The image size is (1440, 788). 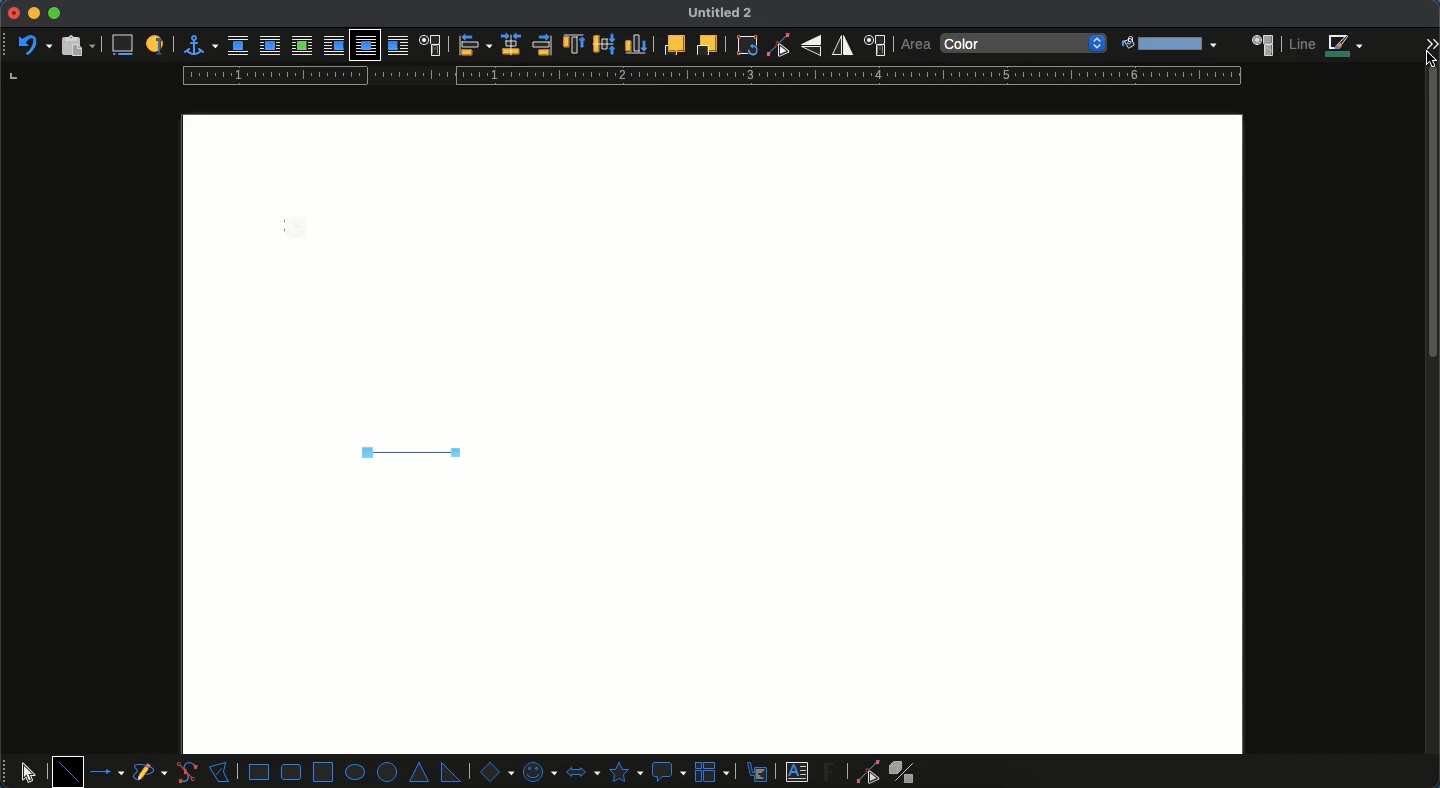 What do you see at coordinates (759, 771) in the screenshot?
I see `callouts` at bounding box center [759, 771].